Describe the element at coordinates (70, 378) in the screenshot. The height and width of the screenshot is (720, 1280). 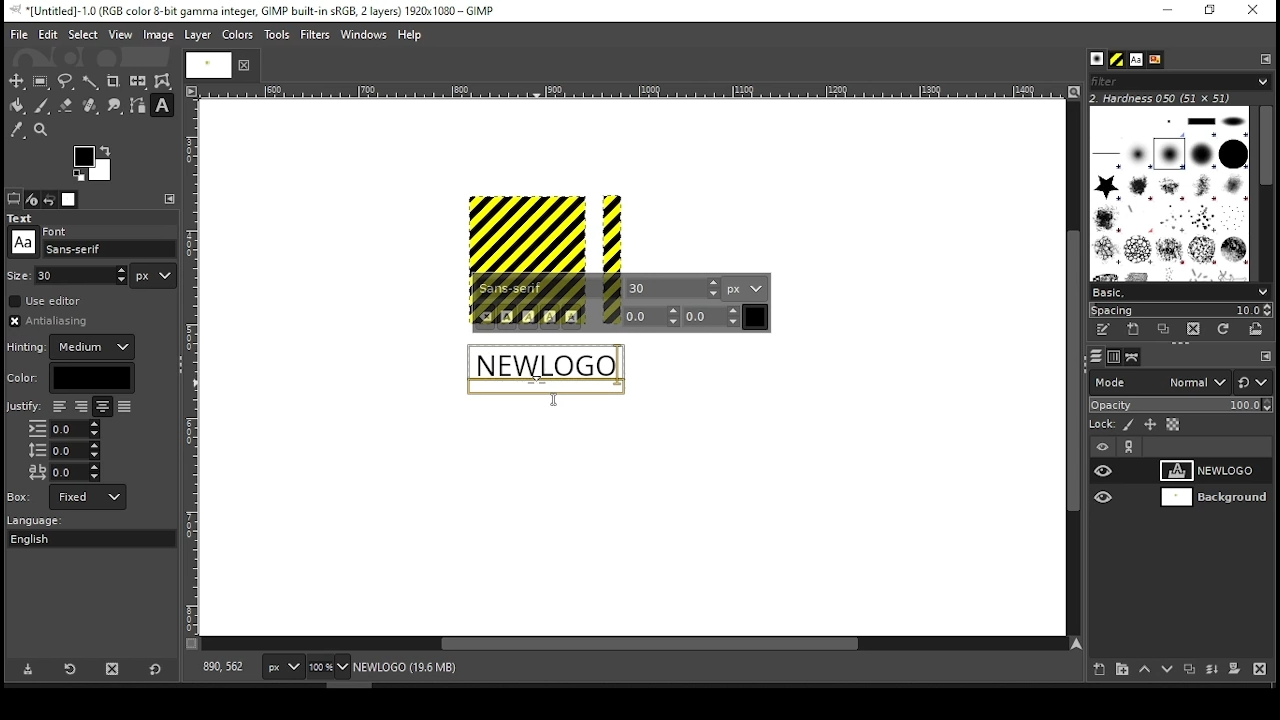
I see `color` at that location.